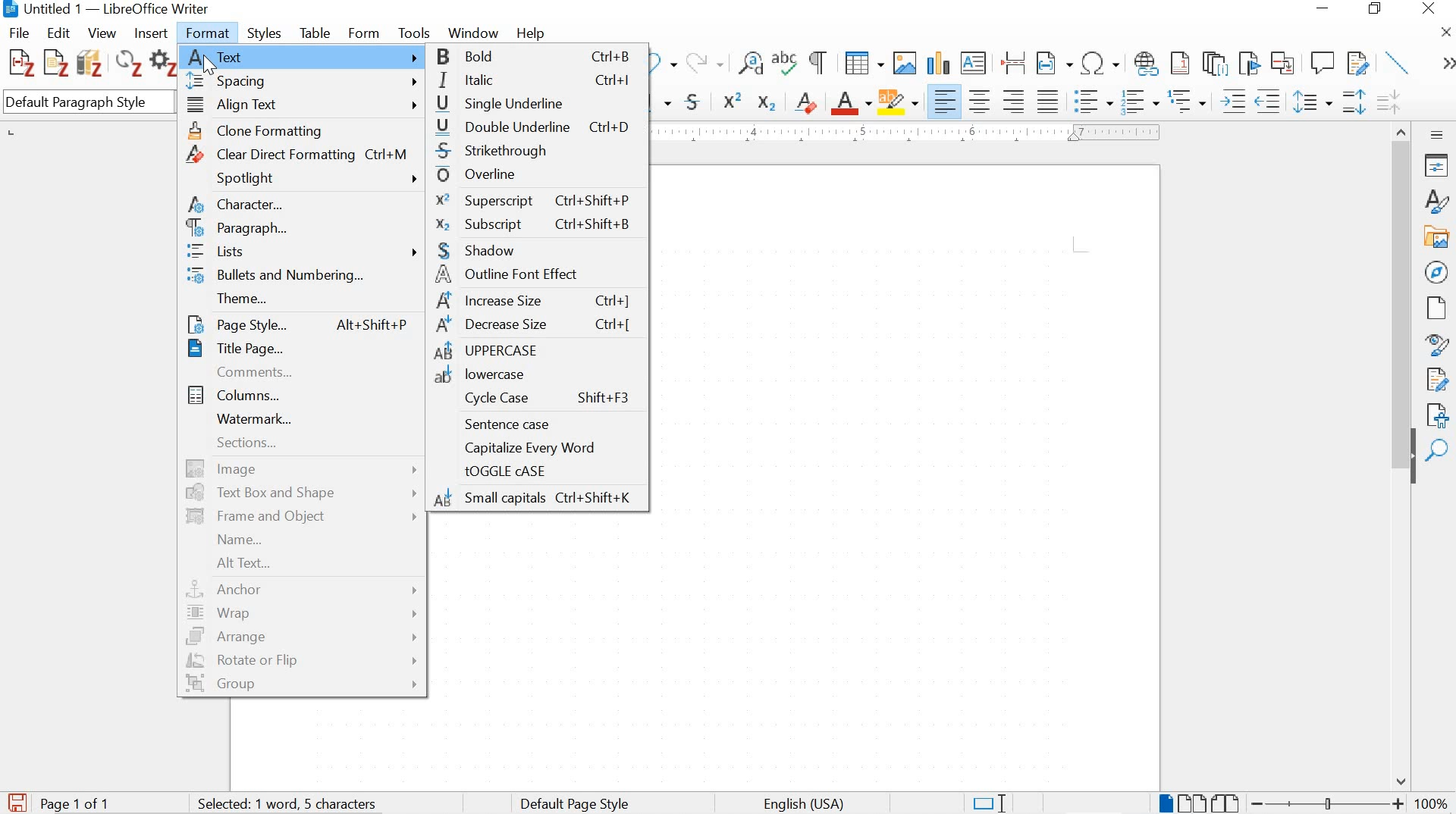  What do you see at coordinates (1439, 415) in the screenshot?
I see `accessibility check` at bounding box center [1439, 415].